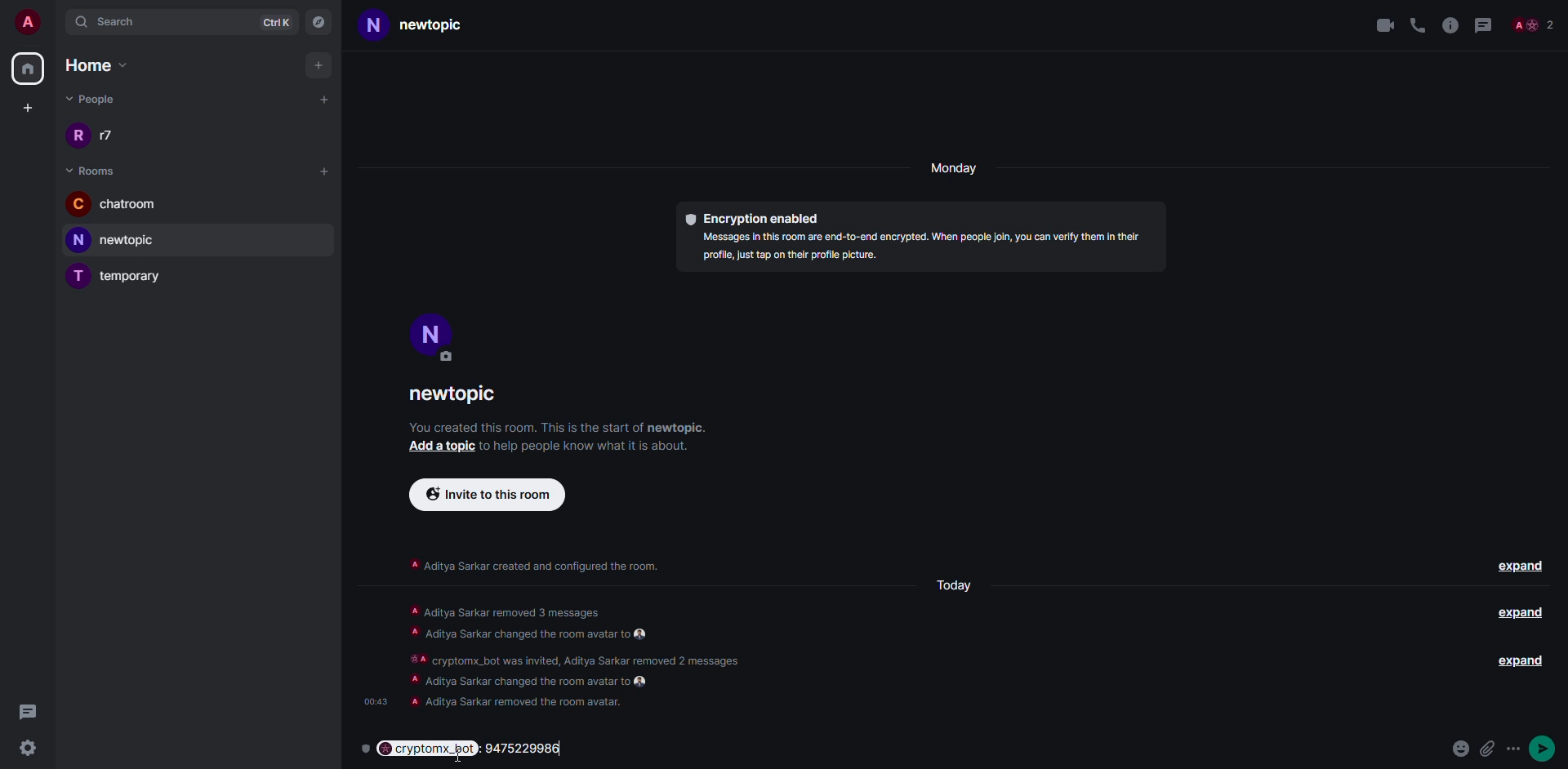 The image size is (1568, 769). Describe the element at coordinates (1532, 26) in the screenshot. I see `people` at that location.